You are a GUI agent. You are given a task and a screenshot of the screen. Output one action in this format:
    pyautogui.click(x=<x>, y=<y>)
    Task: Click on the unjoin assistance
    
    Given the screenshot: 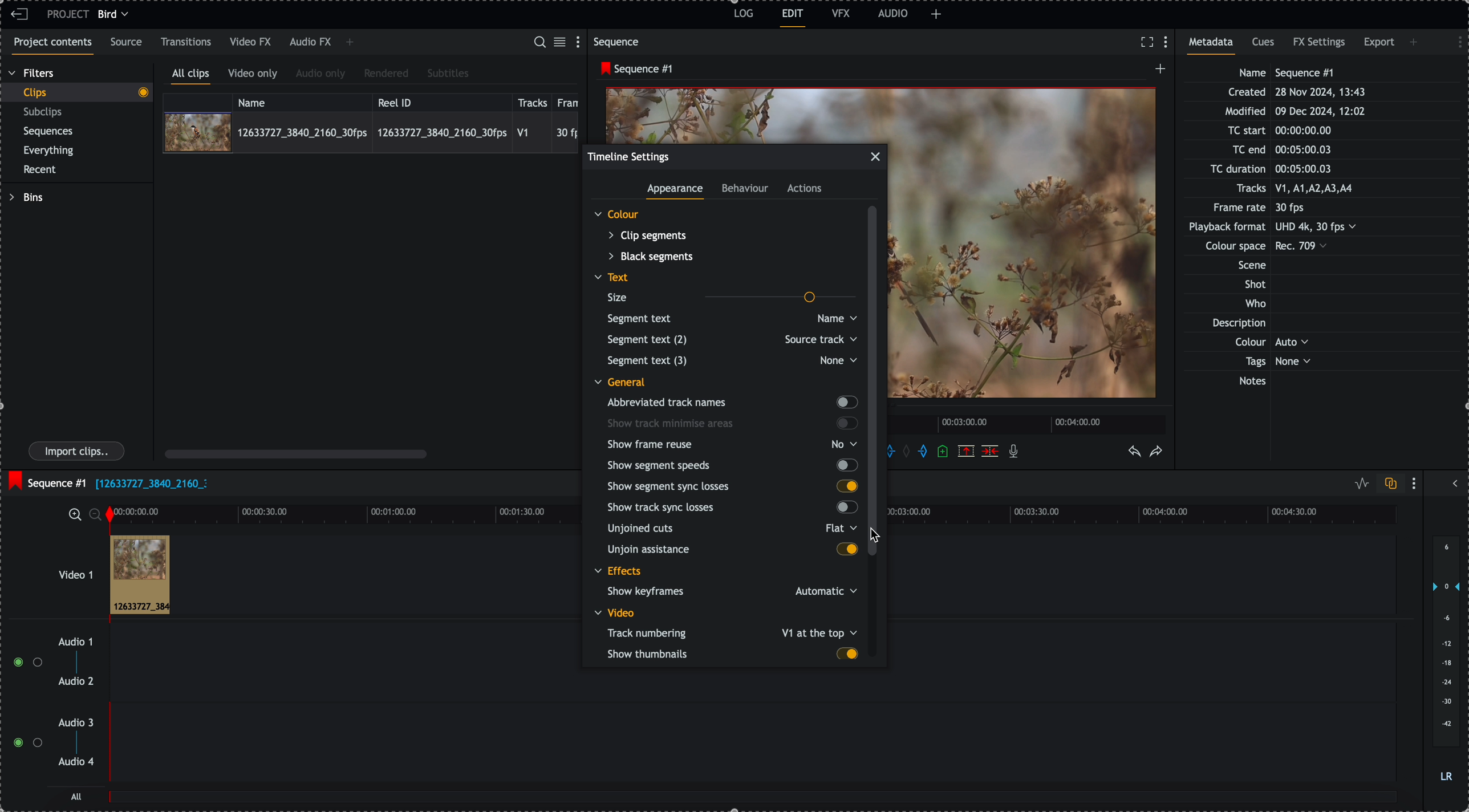 What is the action you would take?
    pyautogui.click(x=731, y=550)
    